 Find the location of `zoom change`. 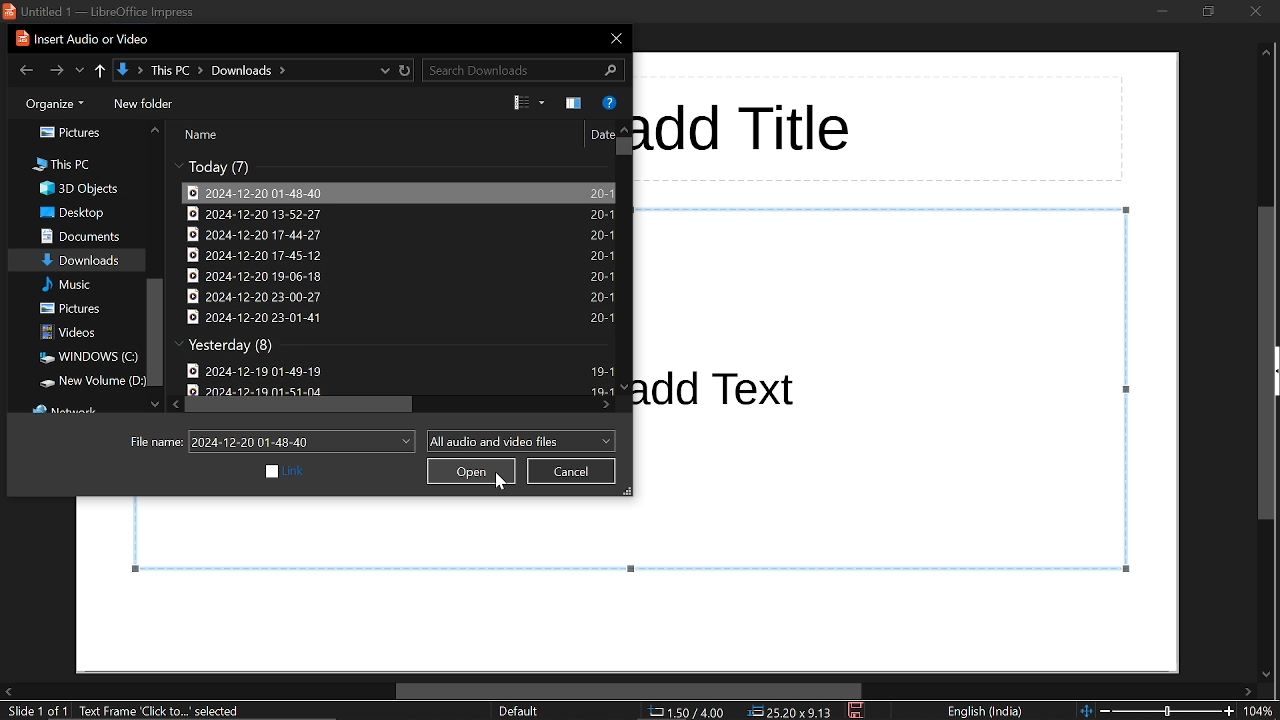

zoom change is located at coordinates (1157, 712).